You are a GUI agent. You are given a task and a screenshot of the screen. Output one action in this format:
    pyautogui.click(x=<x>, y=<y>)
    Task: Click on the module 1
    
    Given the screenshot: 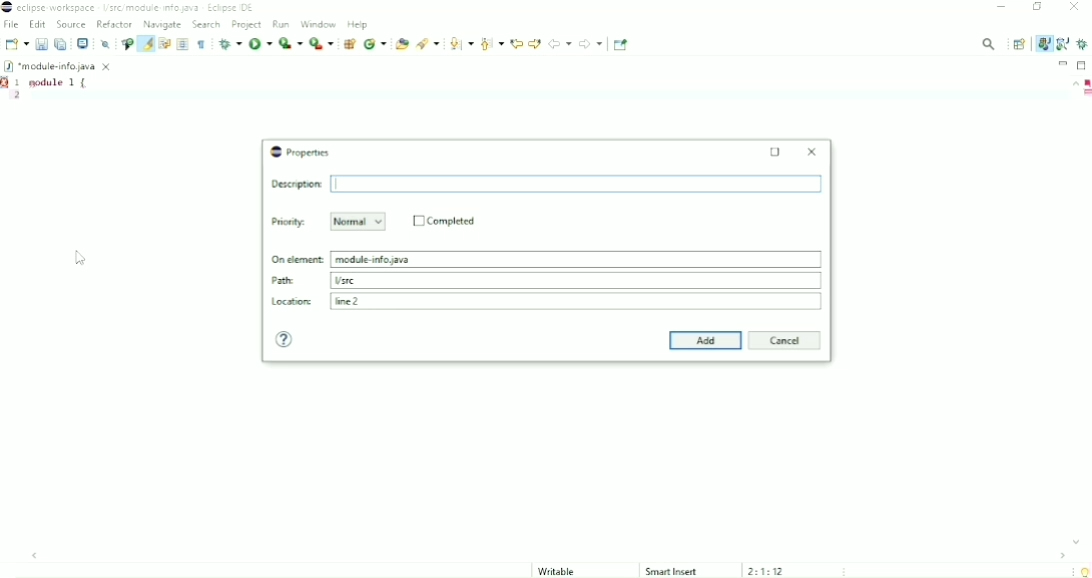 What is the action you would take?
    pyautogui.click(x=60, y=82)
    